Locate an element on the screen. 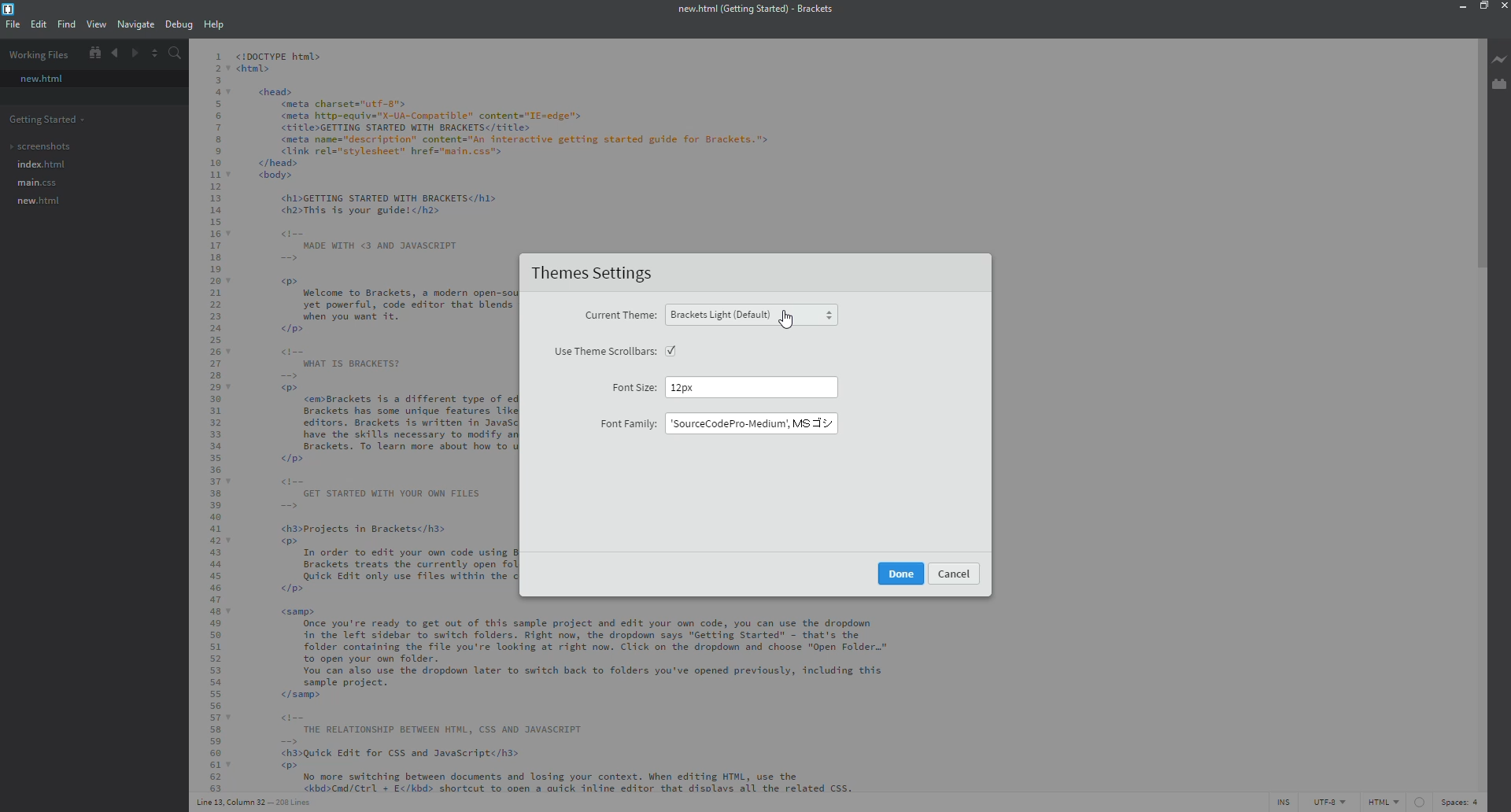  debug is located at coordinates (177, 25).